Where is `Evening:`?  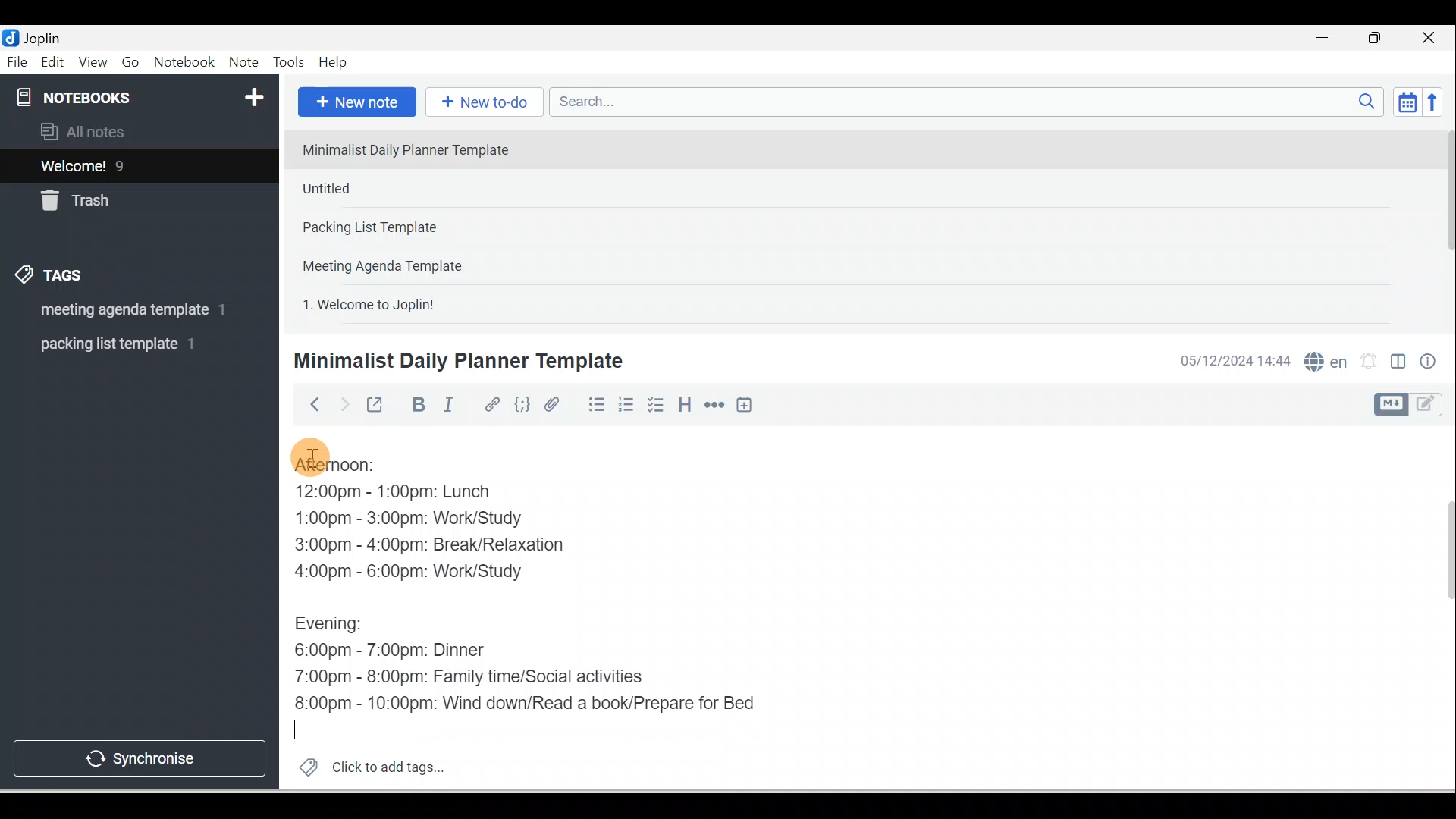
Evening: is located at coordinates (339, 626).